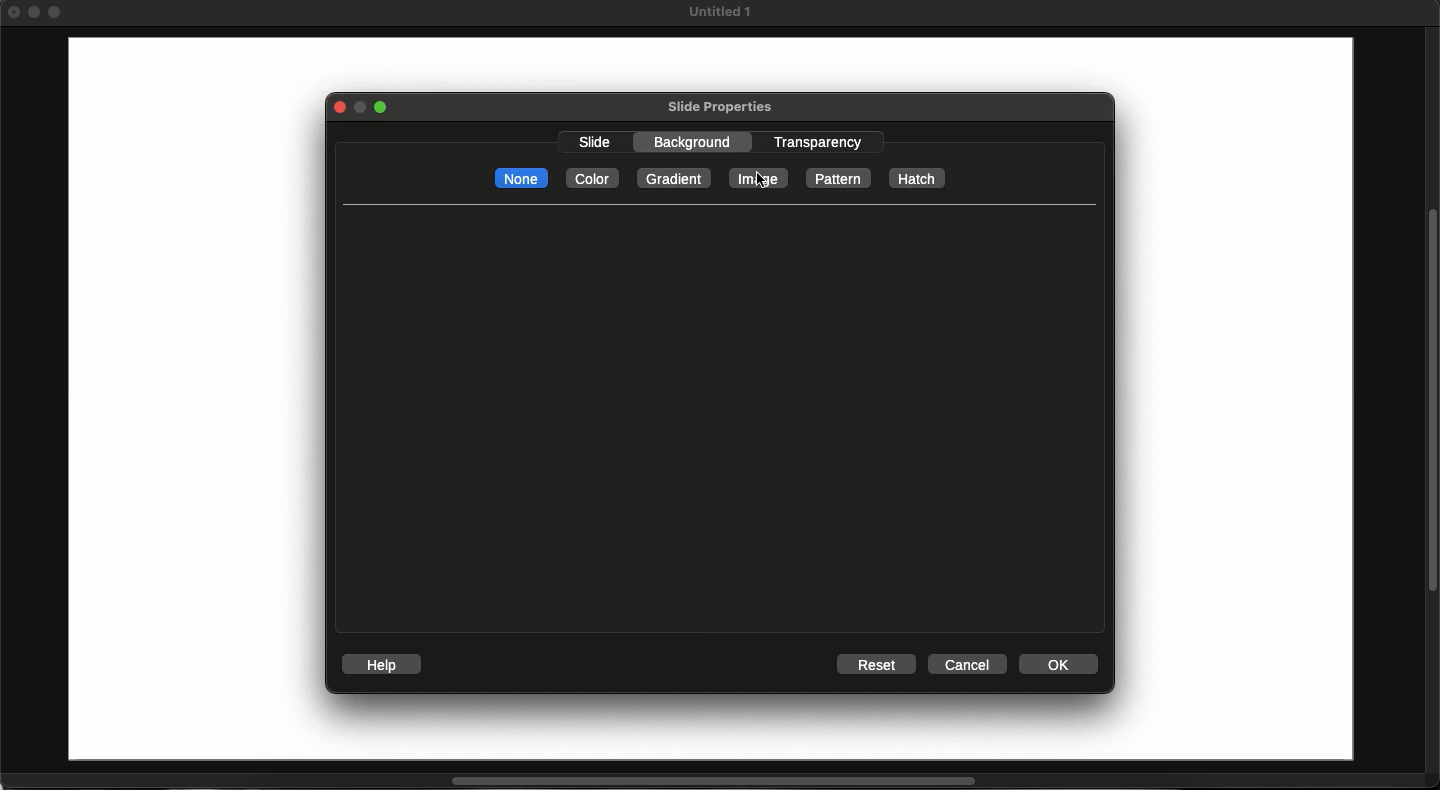 The height and width of the screenshot is (790, 1440). I want to click on Image, so click(759, 179).